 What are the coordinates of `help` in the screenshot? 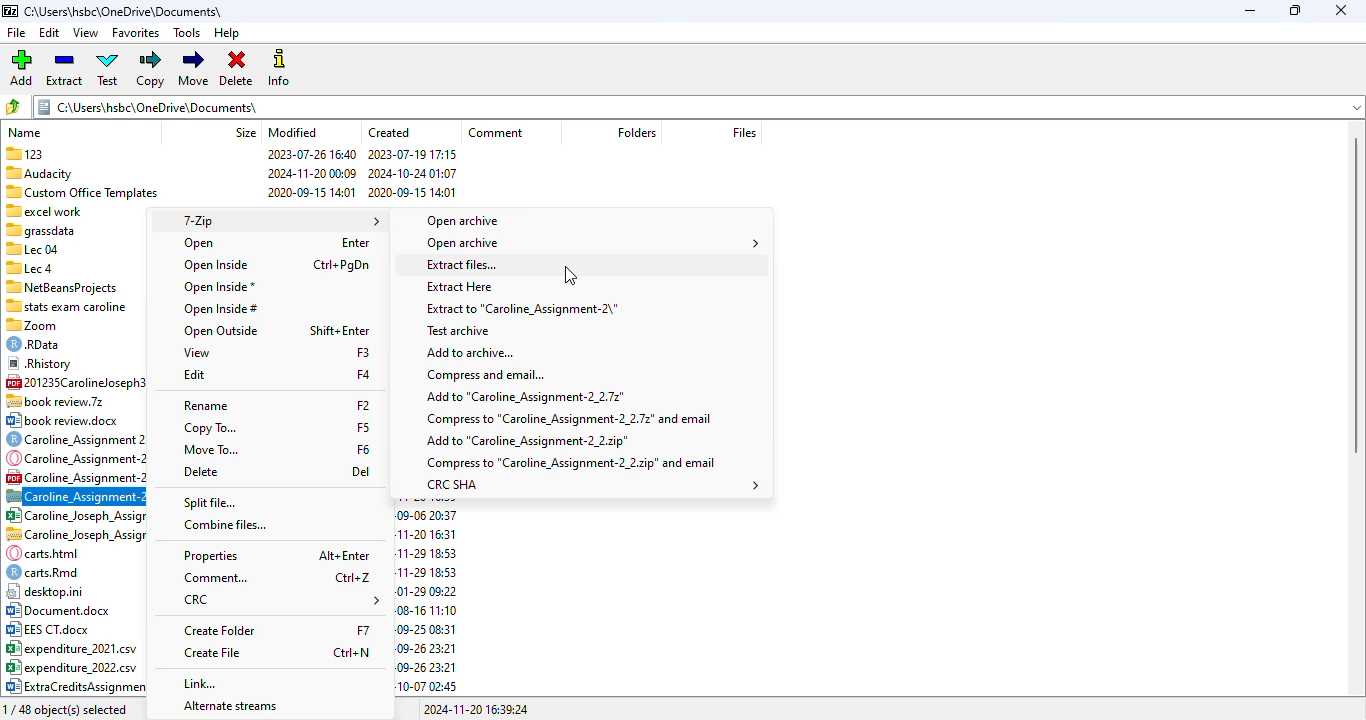 It's located at (228, 34).